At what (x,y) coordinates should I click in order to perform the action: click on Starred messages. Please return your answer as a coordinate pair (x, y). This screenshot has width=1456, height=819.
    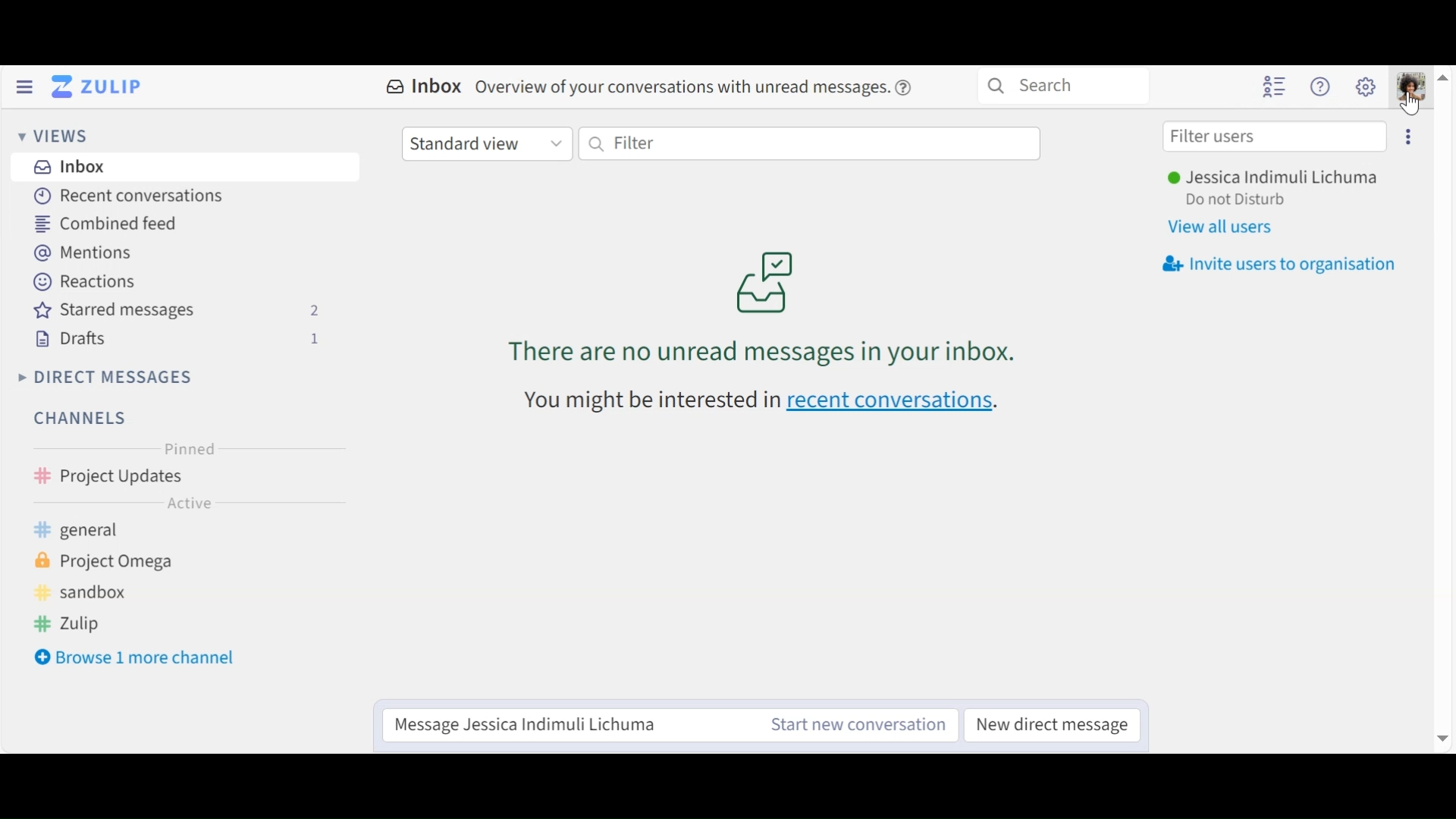
    Looking at the image, I should click on (183, 311).